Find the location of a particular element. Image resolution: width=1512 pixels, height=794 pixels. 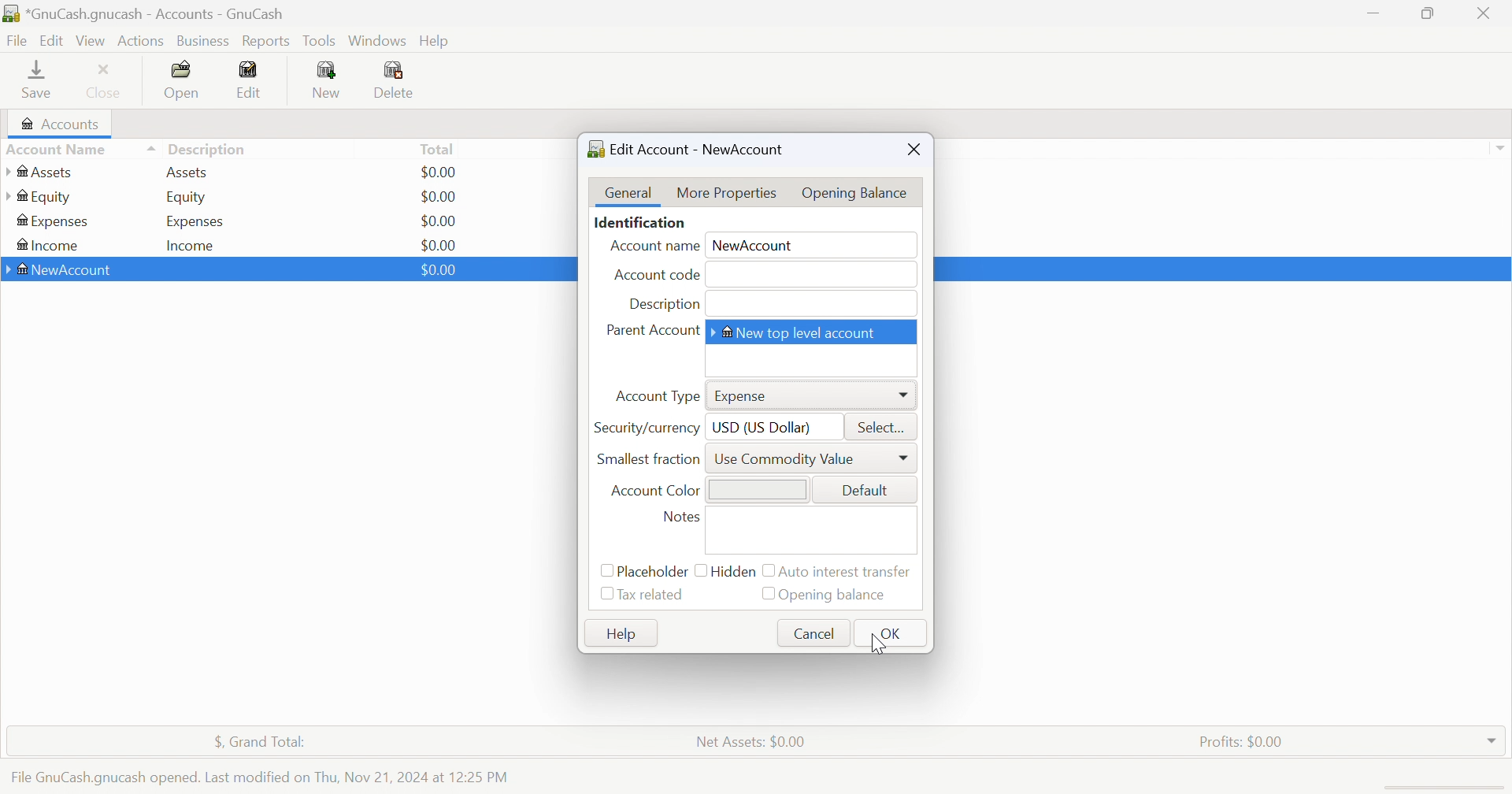

Minimize is located at coordinates (1369, 9).